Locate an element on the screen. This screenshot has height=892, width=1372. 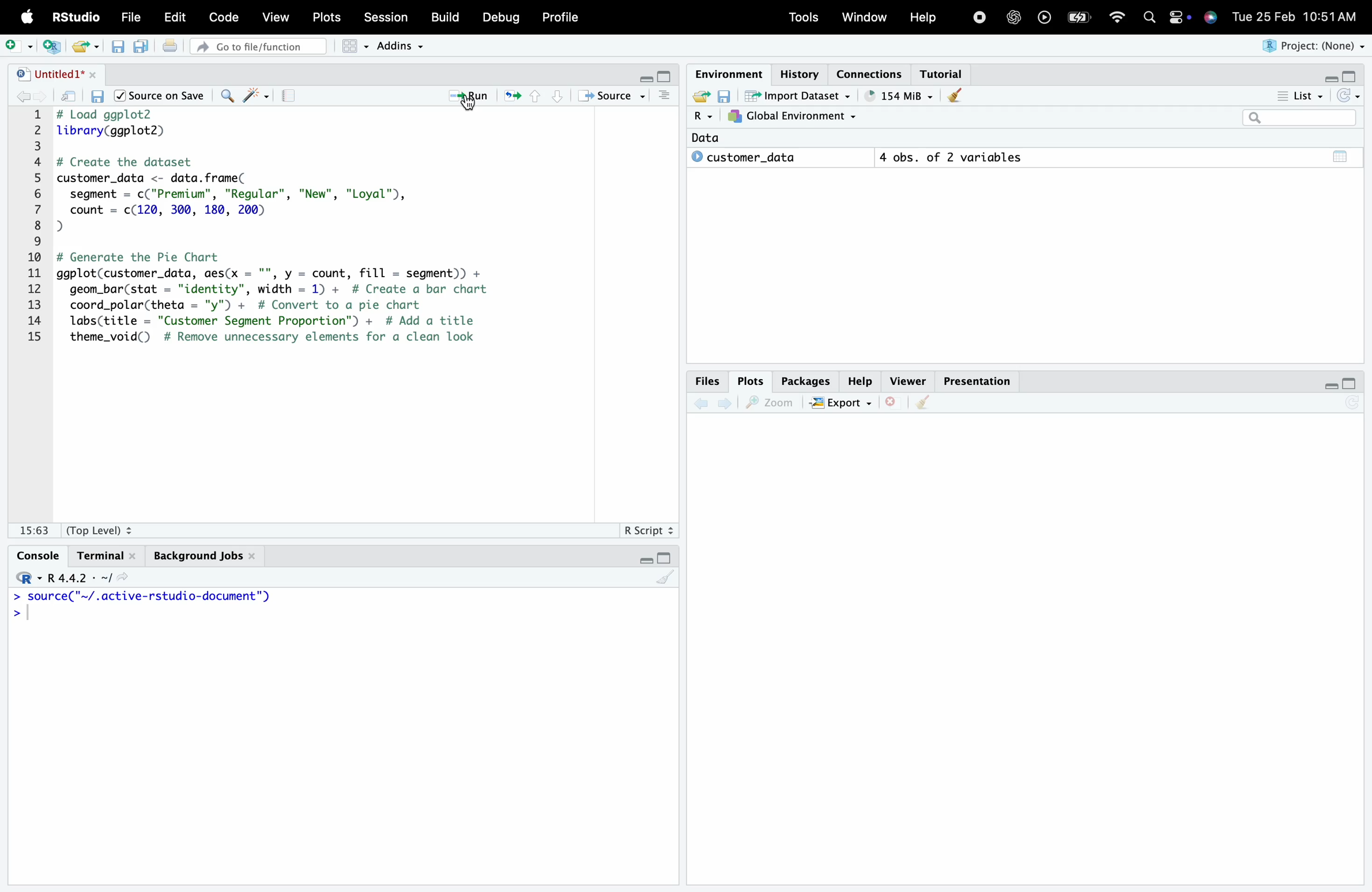
» Go to file/function is located at coordinates (258, 46).